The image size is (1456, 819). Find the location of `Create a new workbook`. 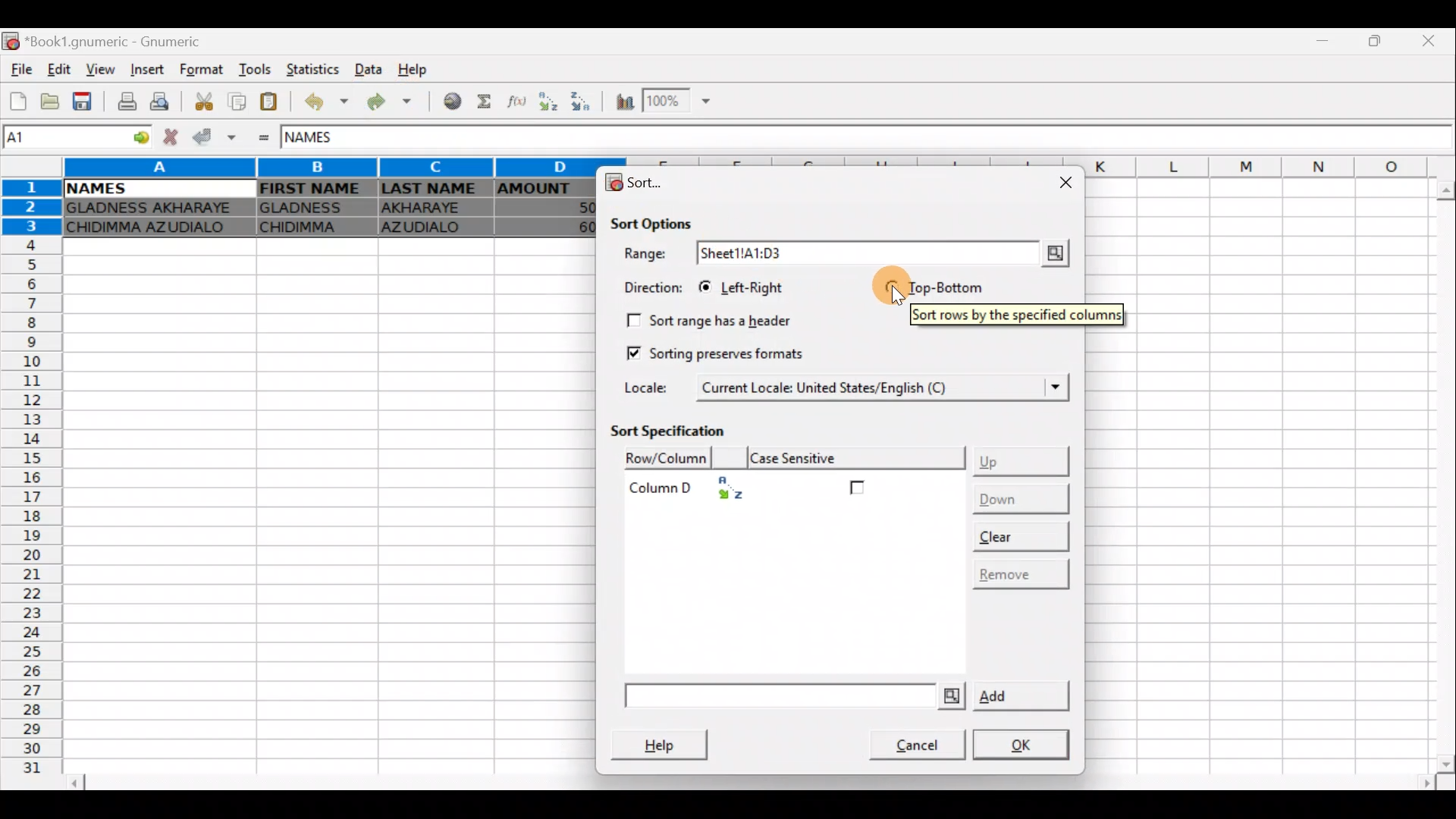

Create a new workbook is located at coordinates (19, 101).